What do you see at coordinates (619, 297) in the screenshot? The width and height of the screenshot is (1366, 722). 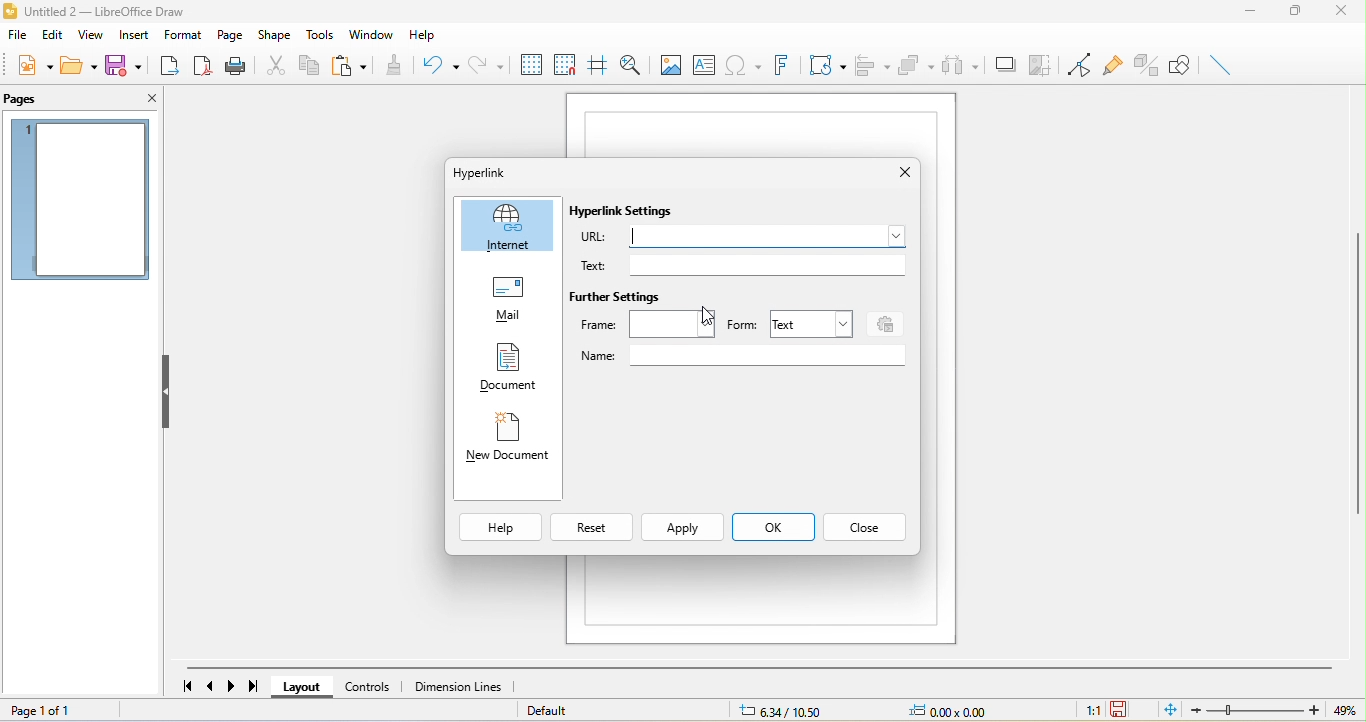 I see `further settings` at bounding box center [619, 297].